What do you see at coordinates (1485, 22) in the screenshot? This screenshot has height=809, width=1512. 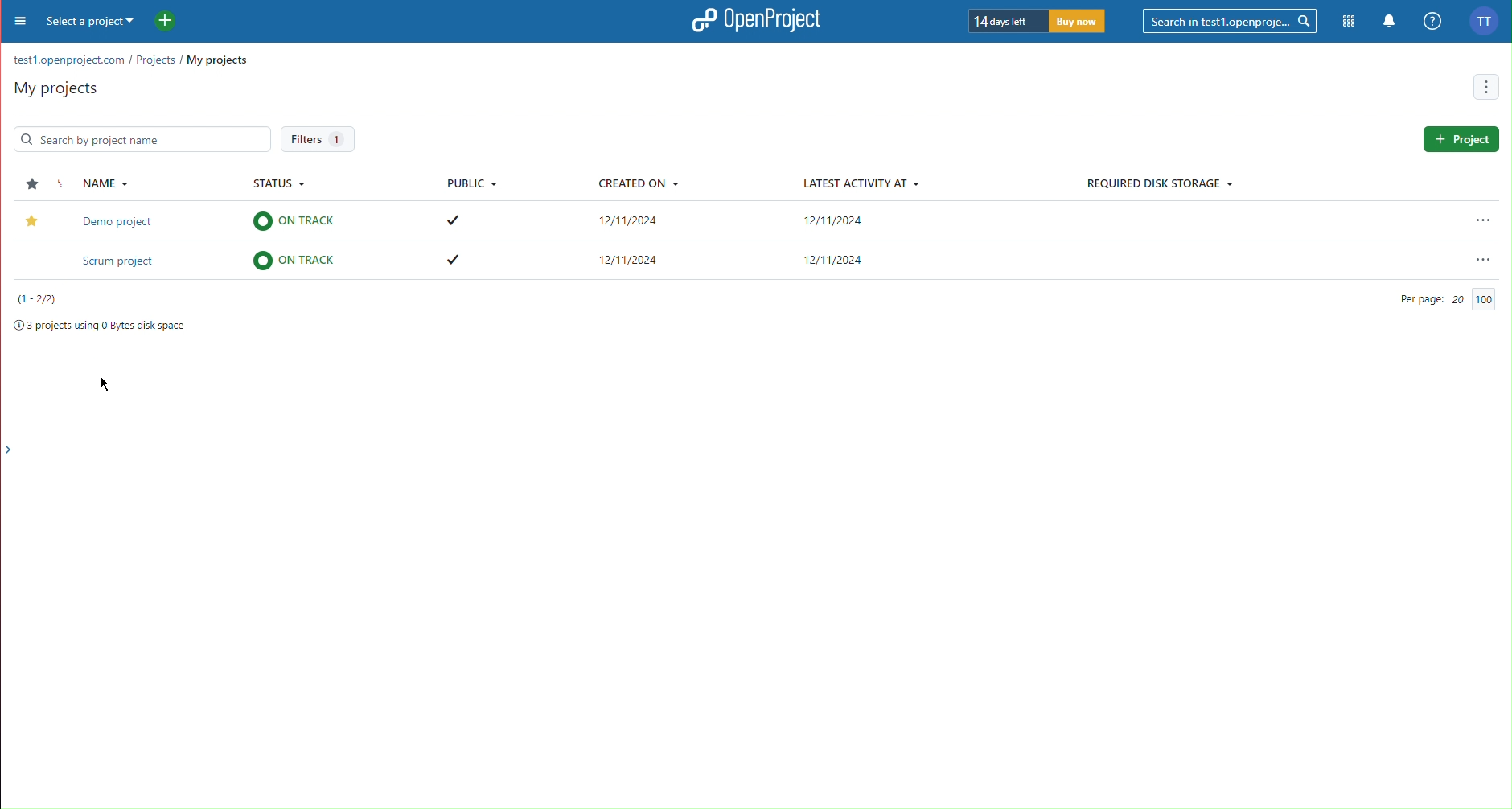 I see `Account` at bounding box center [1485, 22].